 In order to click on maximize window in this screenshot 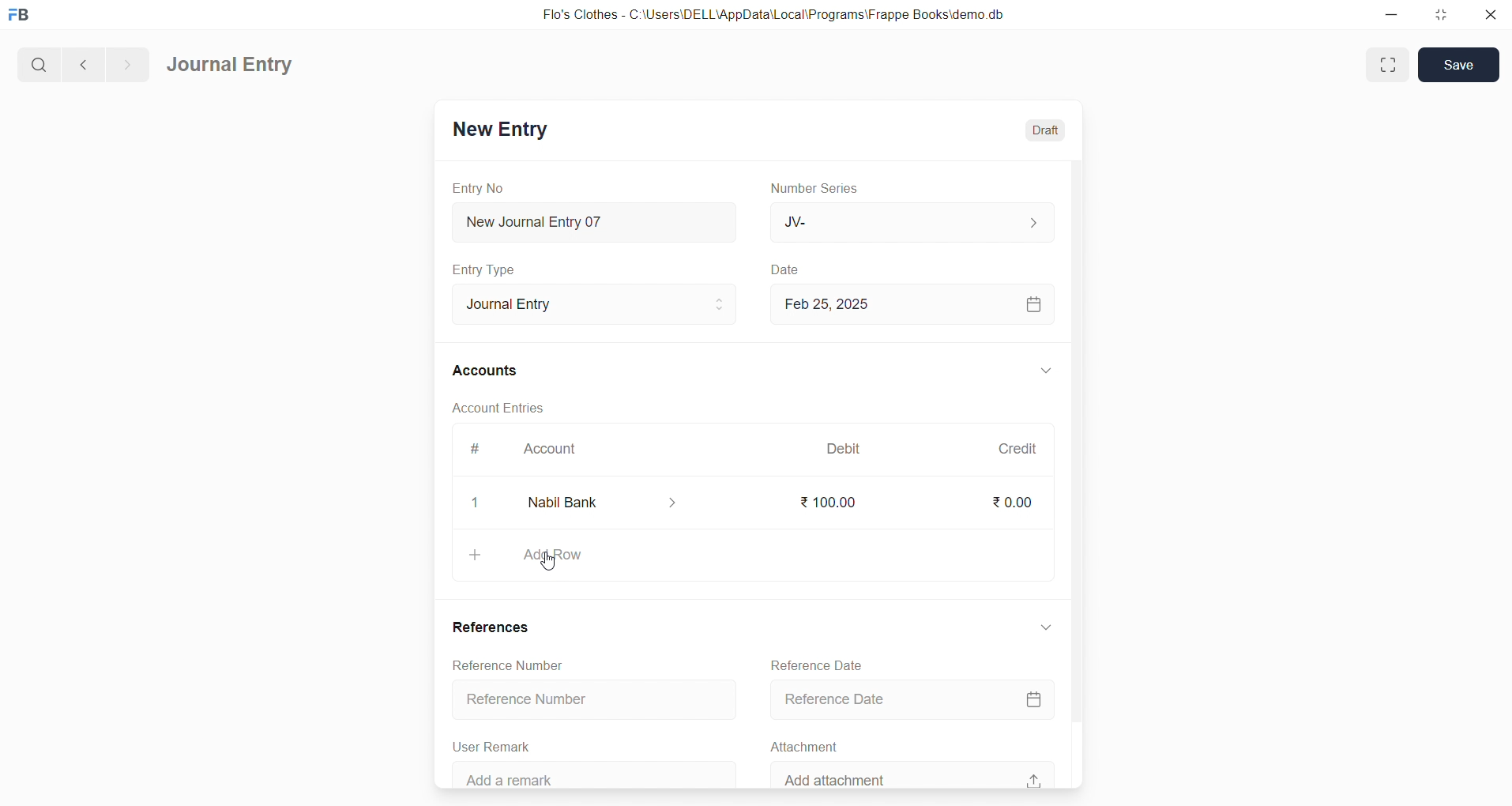, I will do `click(1390, 65)`.